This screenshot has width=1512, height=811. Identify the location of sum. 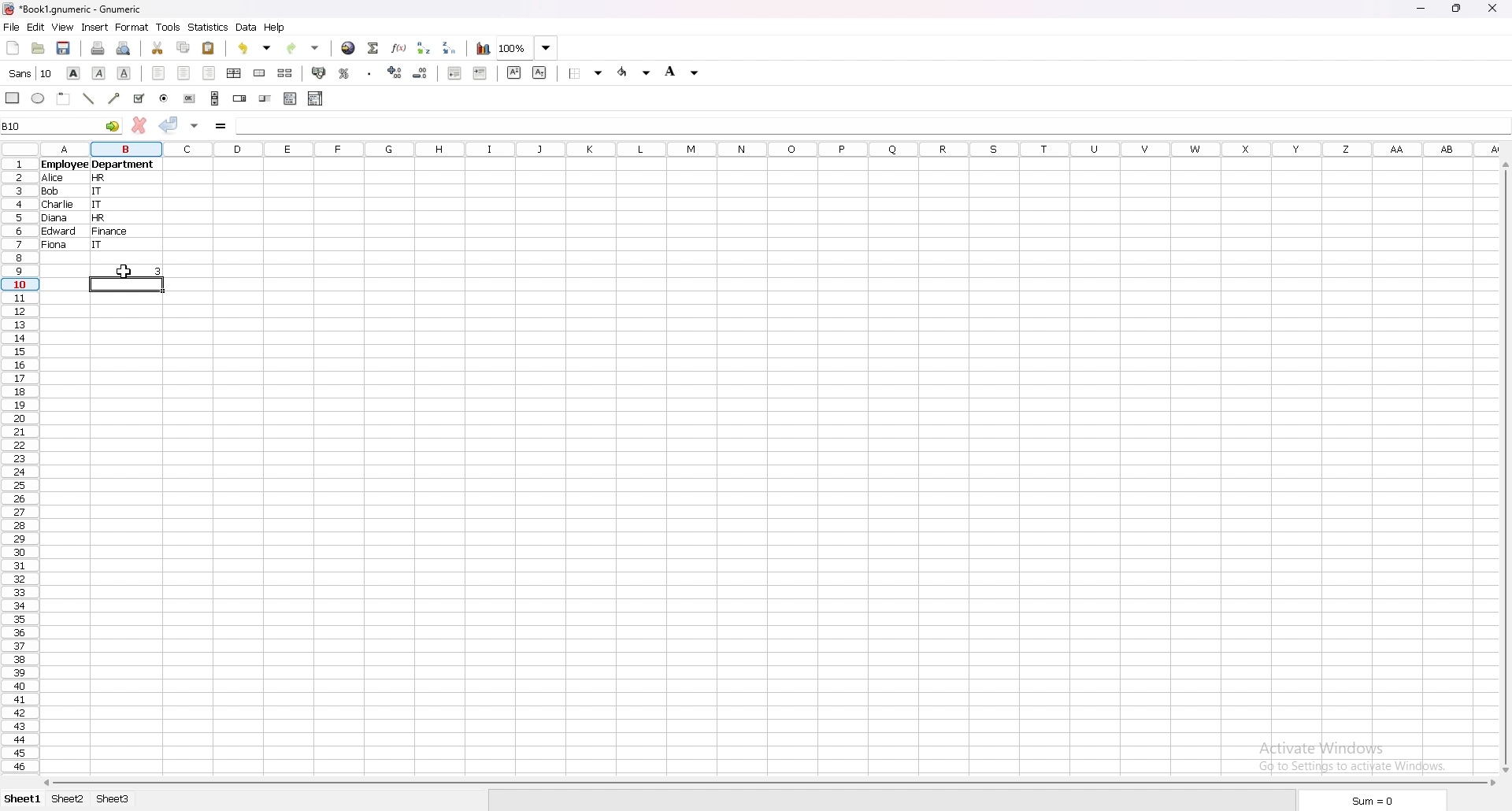
(1372, 802).